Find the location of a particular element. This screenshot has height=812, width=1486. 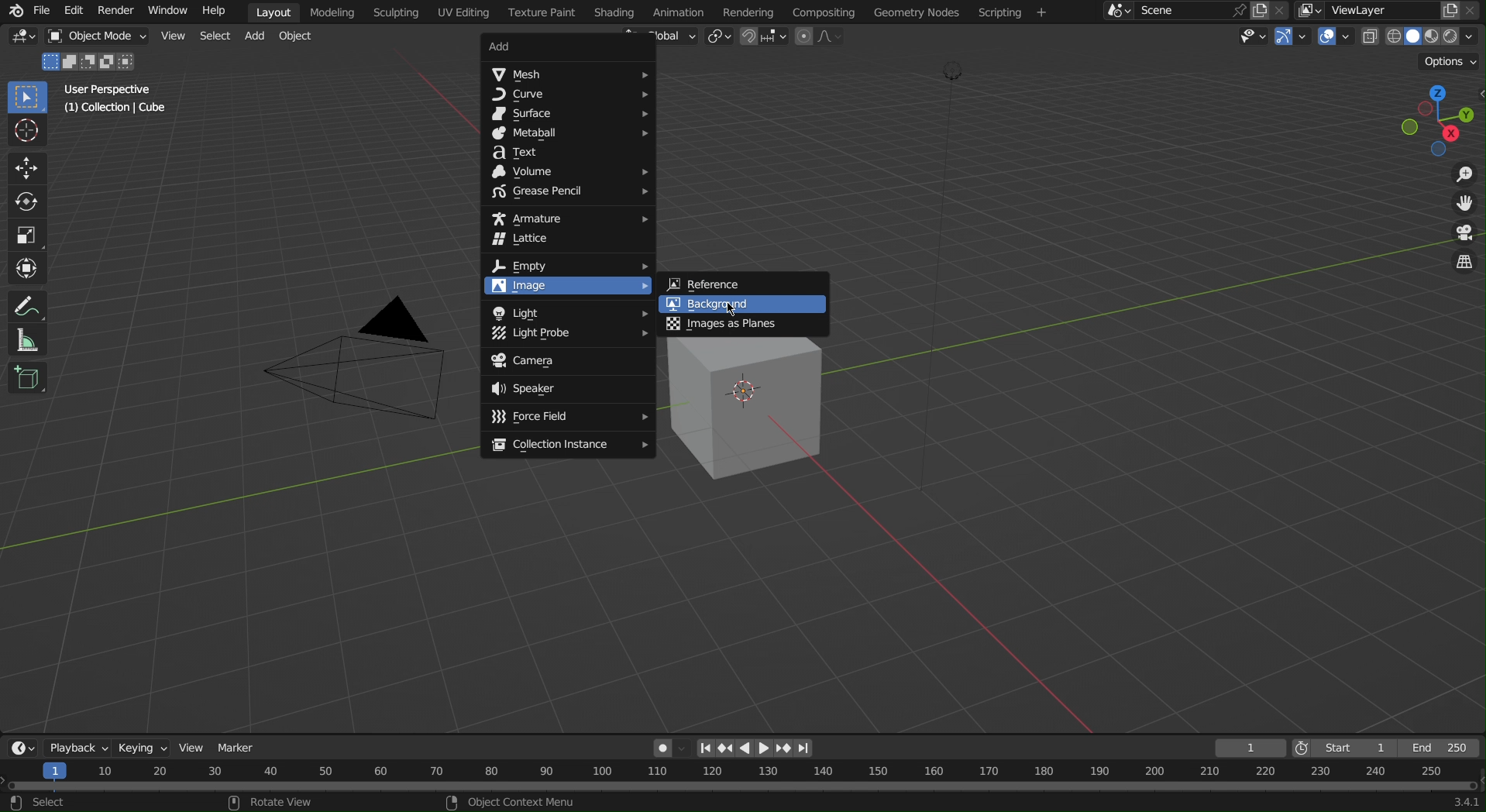

Scale is located at coordinates (25, 234).